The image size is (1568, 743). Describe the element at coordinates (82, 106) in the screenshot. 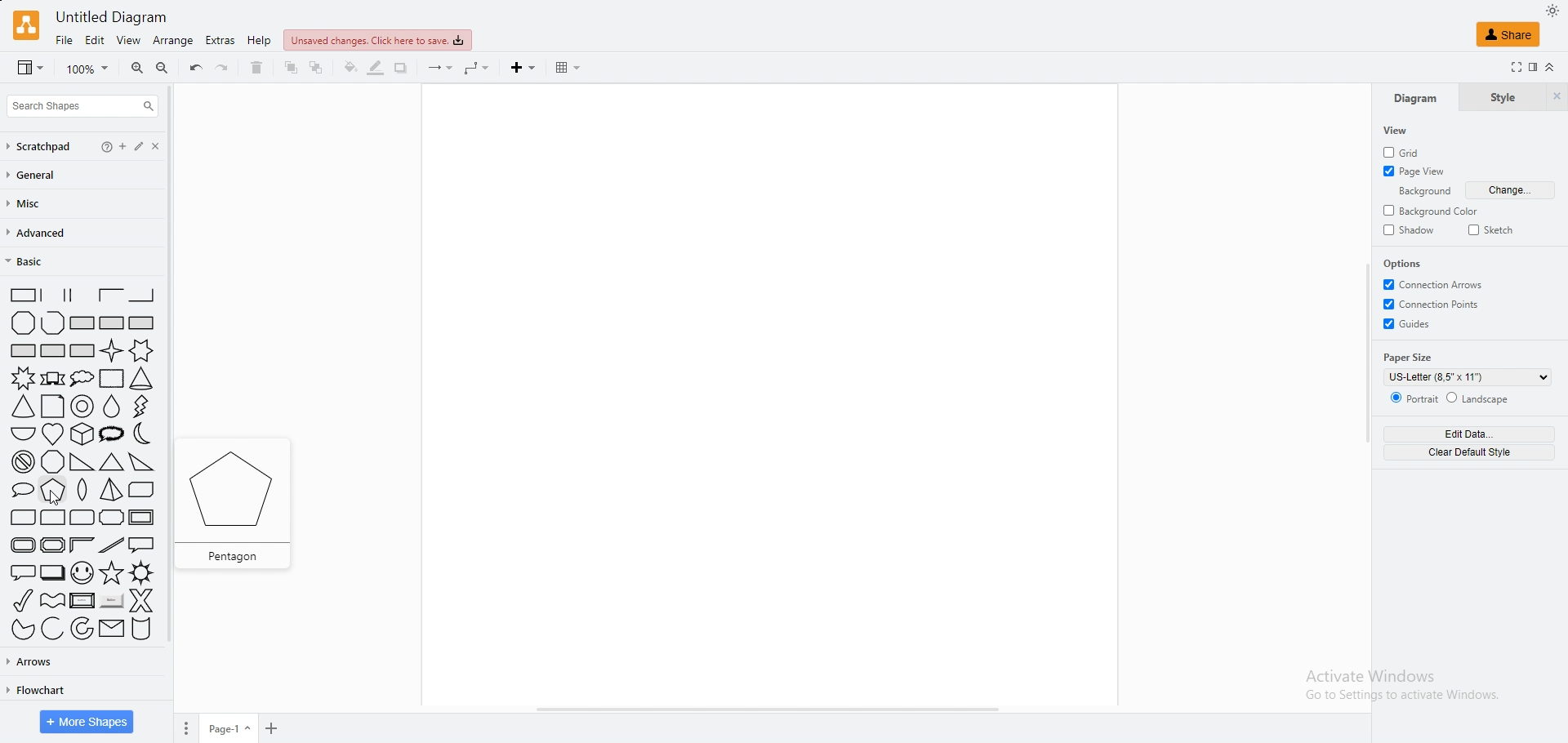

I see `search shapes` at that location.